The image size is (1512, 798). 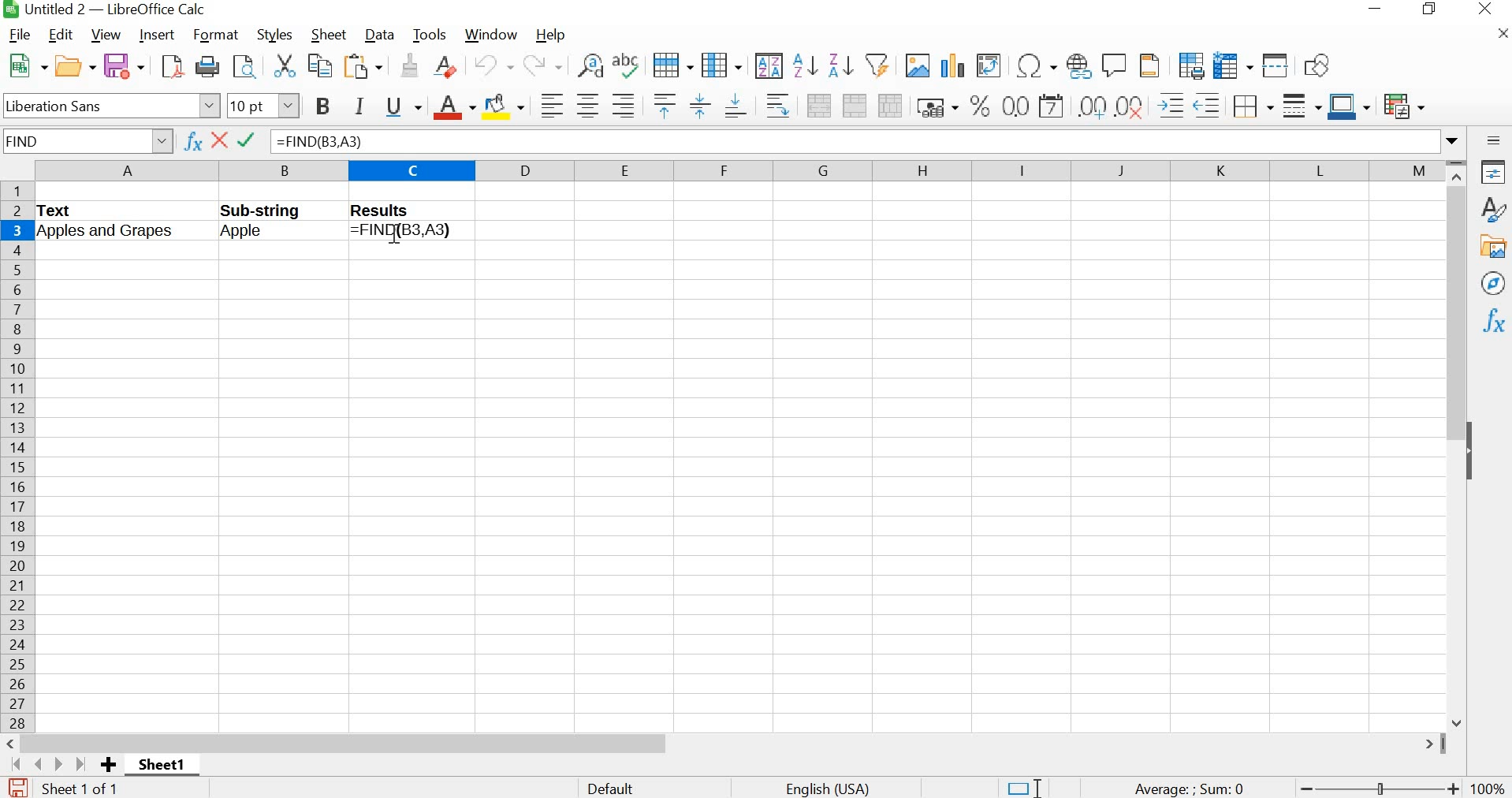 What do you see at coordinates (263, 105) in the screenshot?
I see `font size` at bounding box center [263, 105].